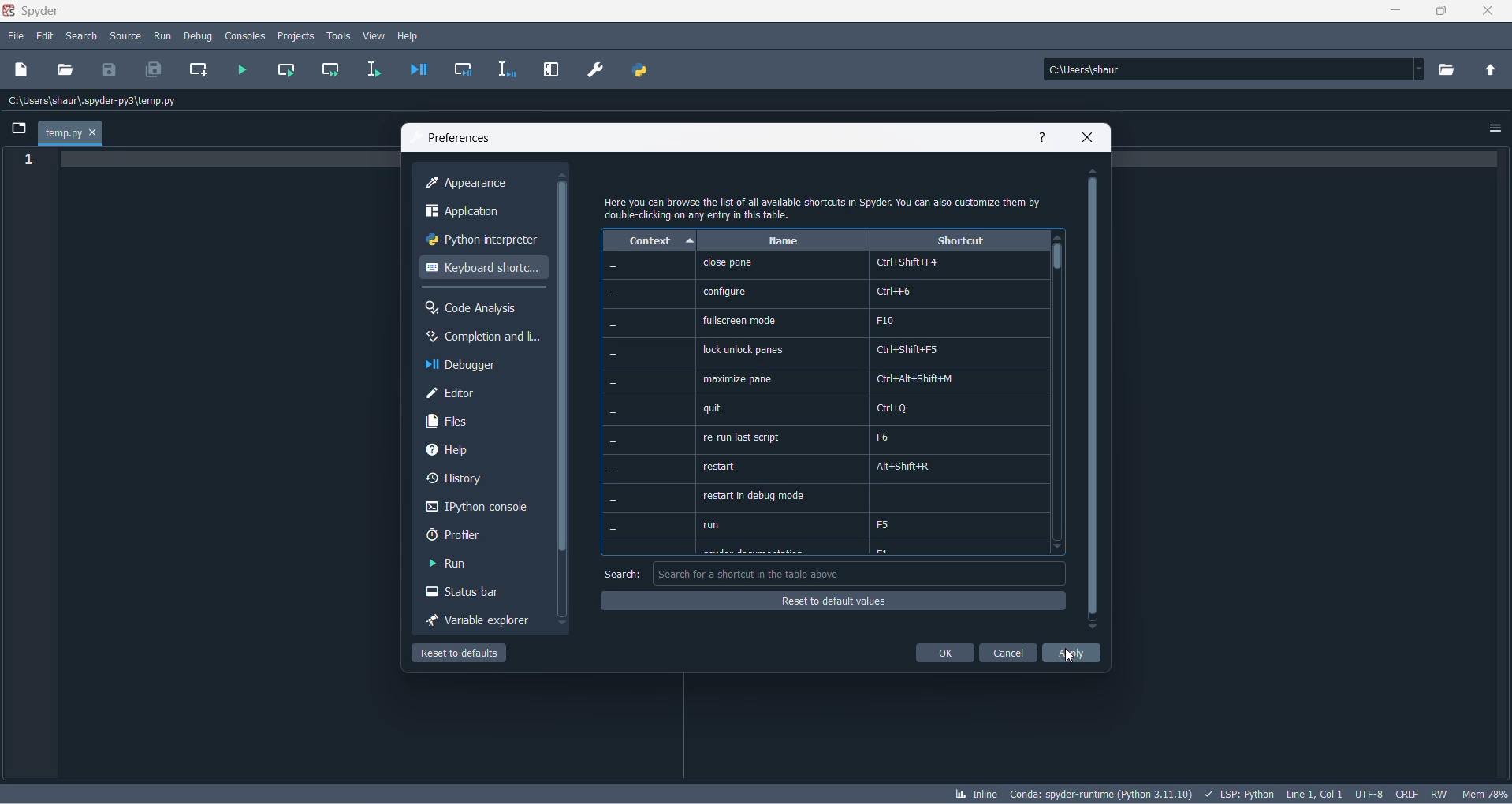  I want to click on -, so click(612, 326).